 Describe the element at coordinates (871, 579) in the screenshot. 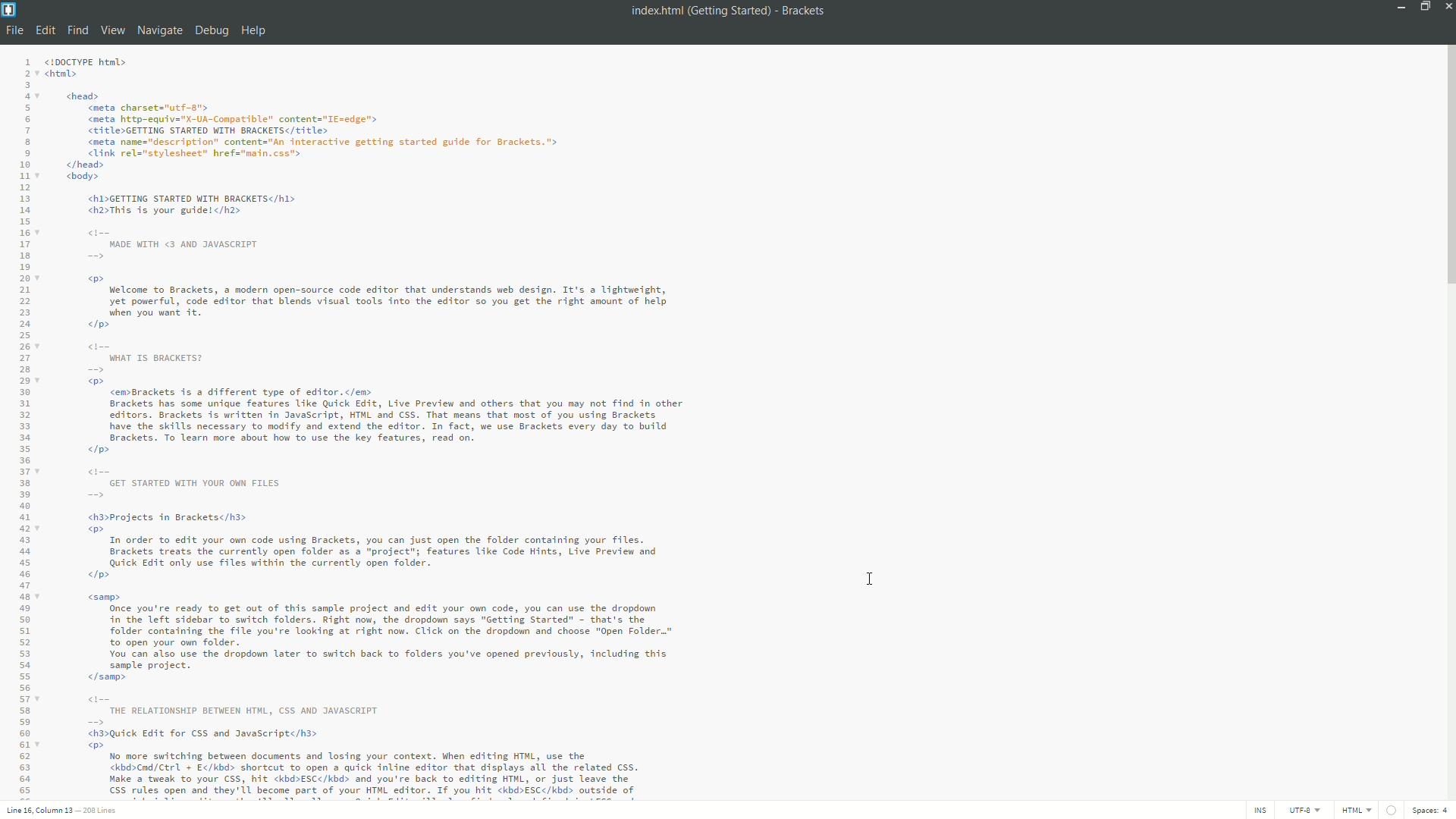

I see `cursor` at that location.